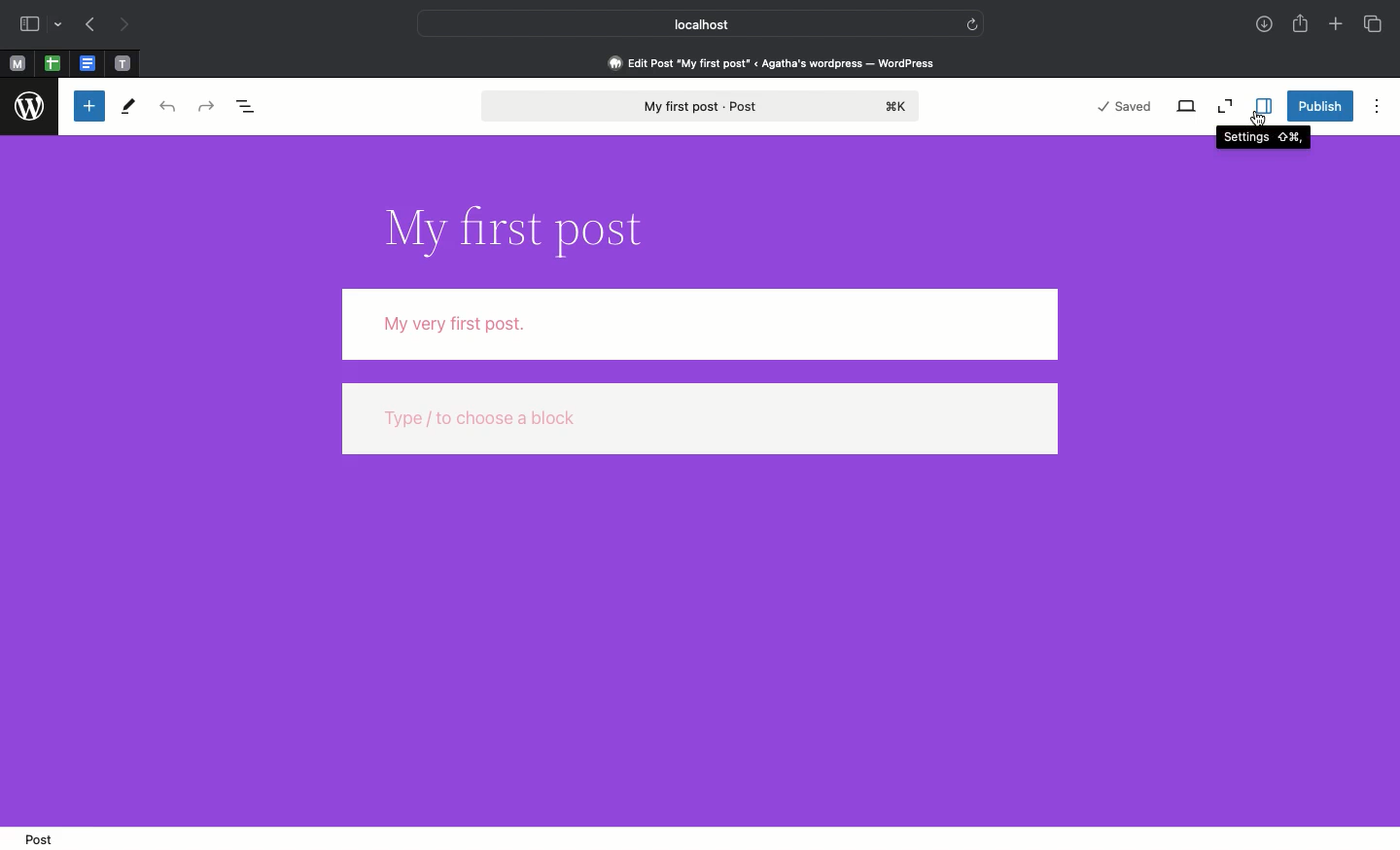 The image size is (1400, 850). I want to click on Title, so click(507, 236).